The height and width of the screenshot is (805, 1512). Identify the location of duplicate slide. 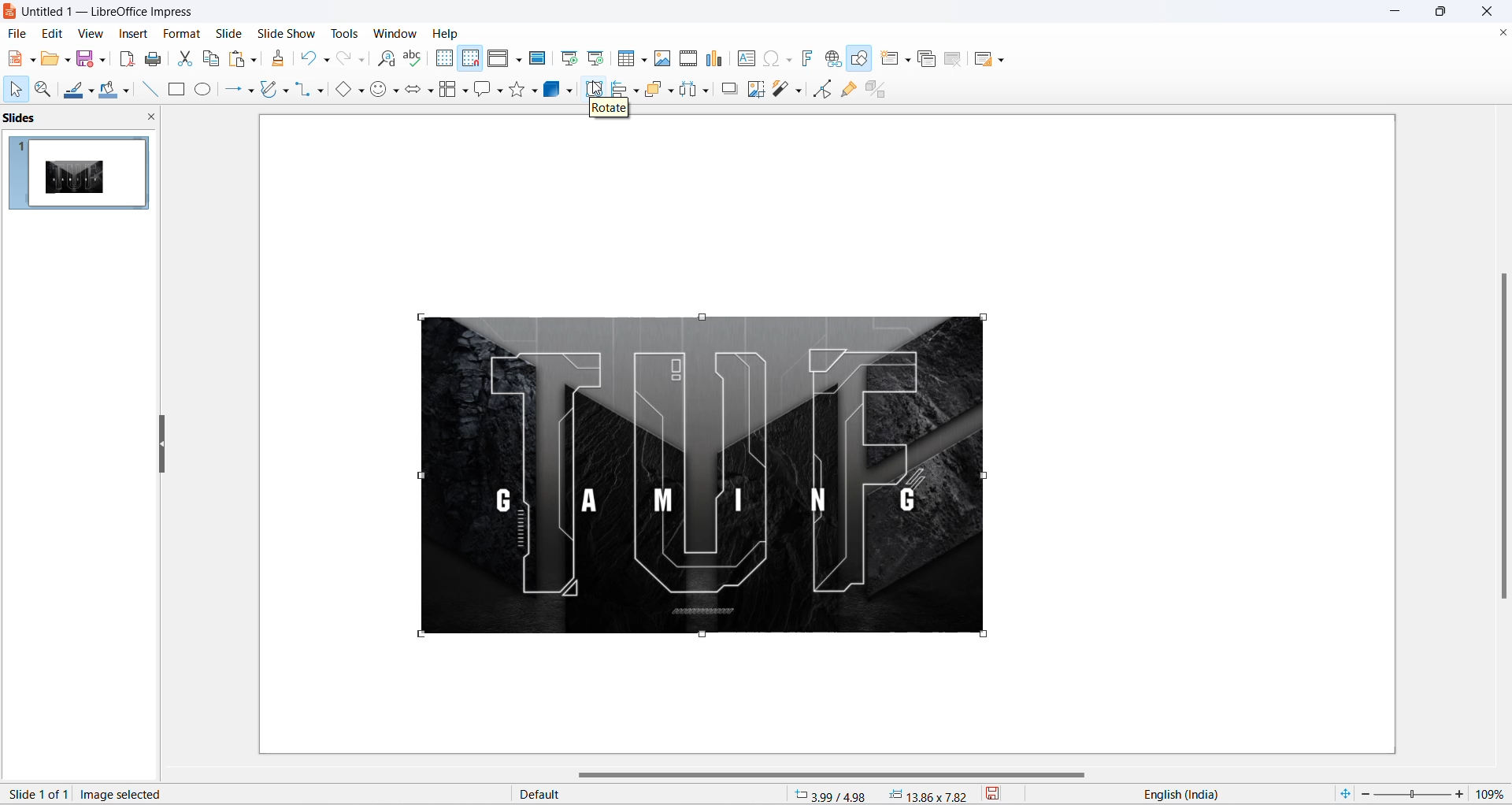
(927, 61).